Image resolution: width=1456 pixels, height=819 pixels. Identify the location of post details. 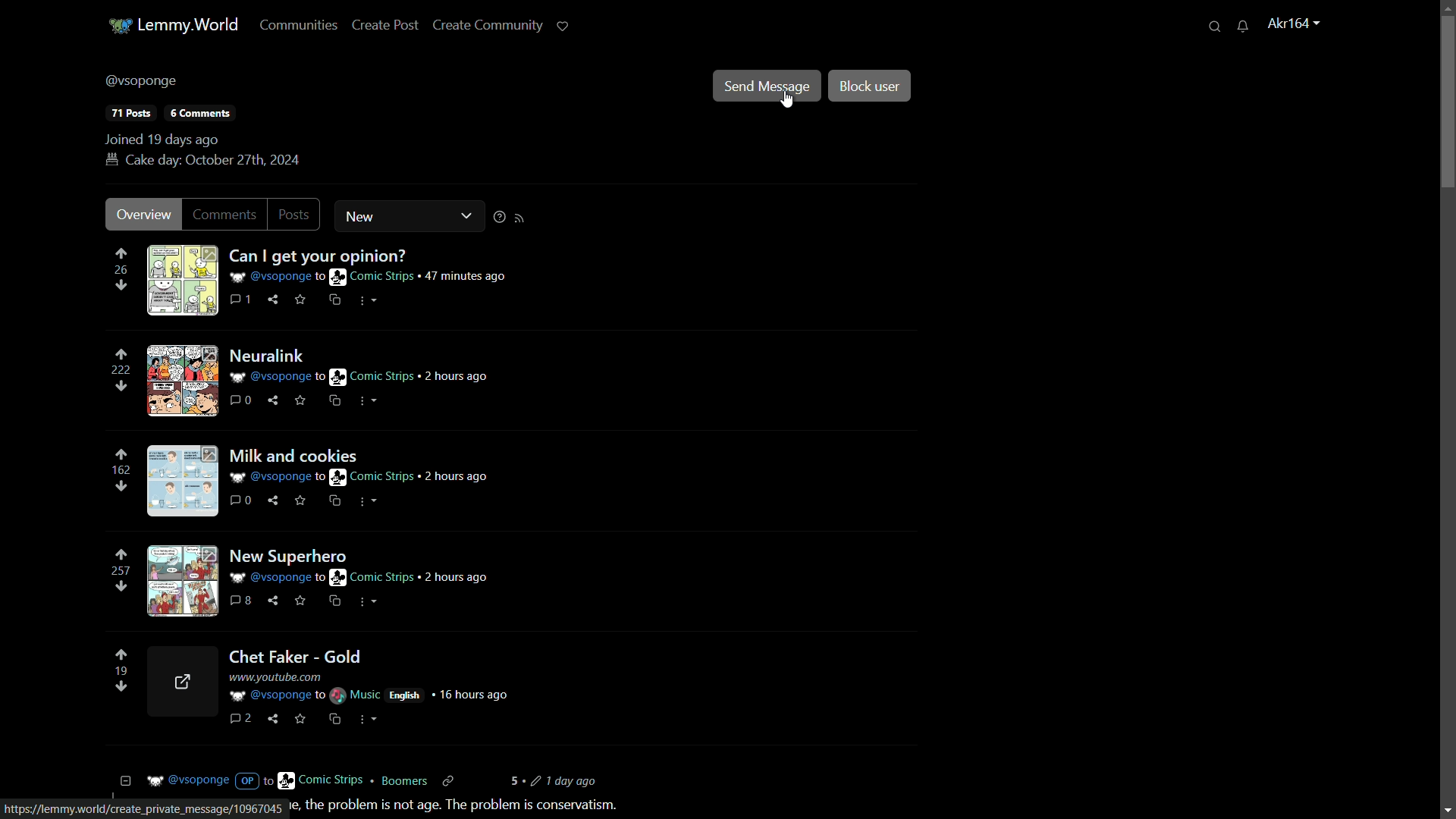
(364, 378).